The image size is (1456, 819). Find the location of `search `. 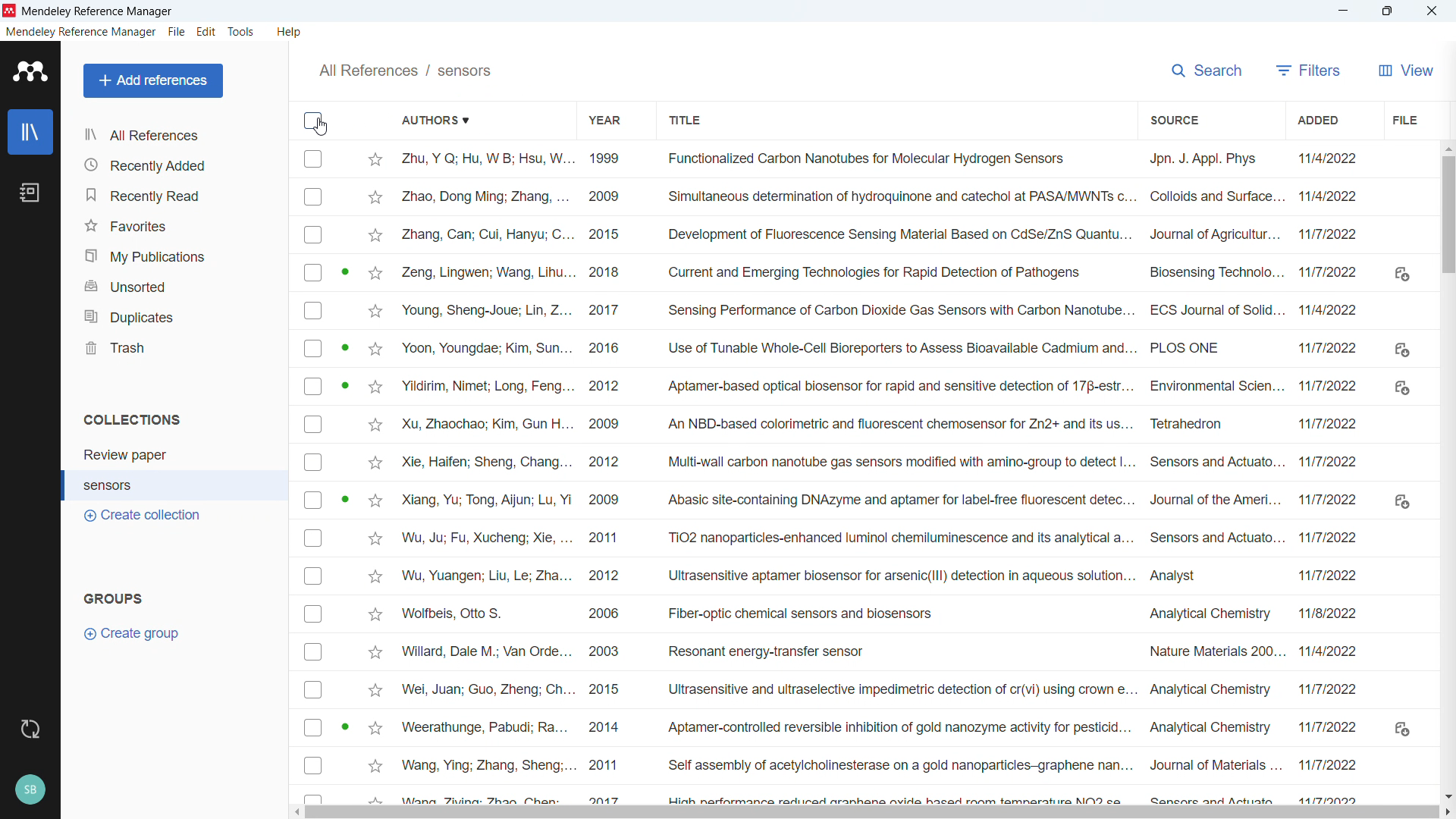

search  is located at coordinates (1204, 71).